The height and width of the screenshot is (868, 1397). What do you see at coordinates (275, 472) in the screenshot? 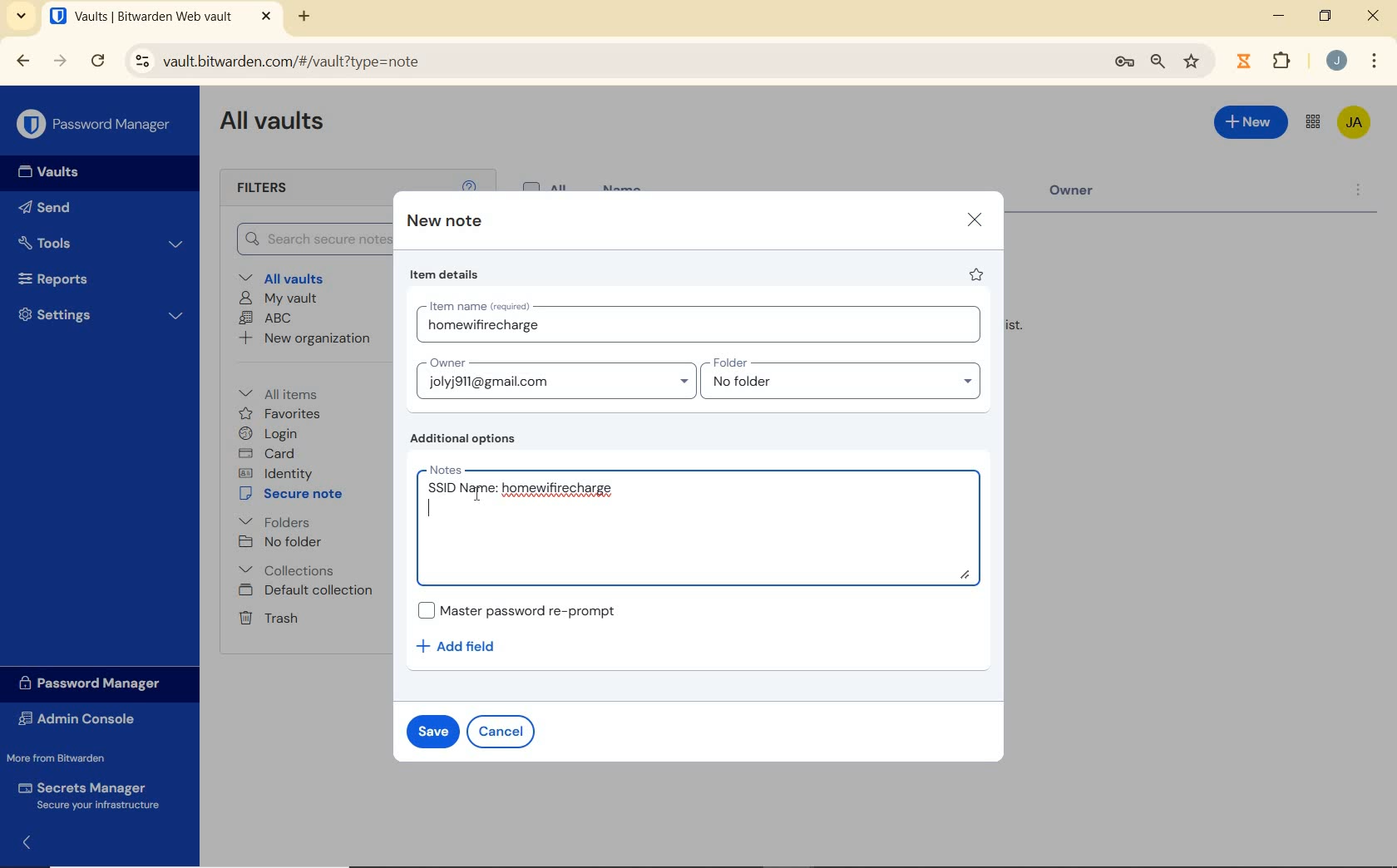
I see `identity` at bounding box center [275, 472].